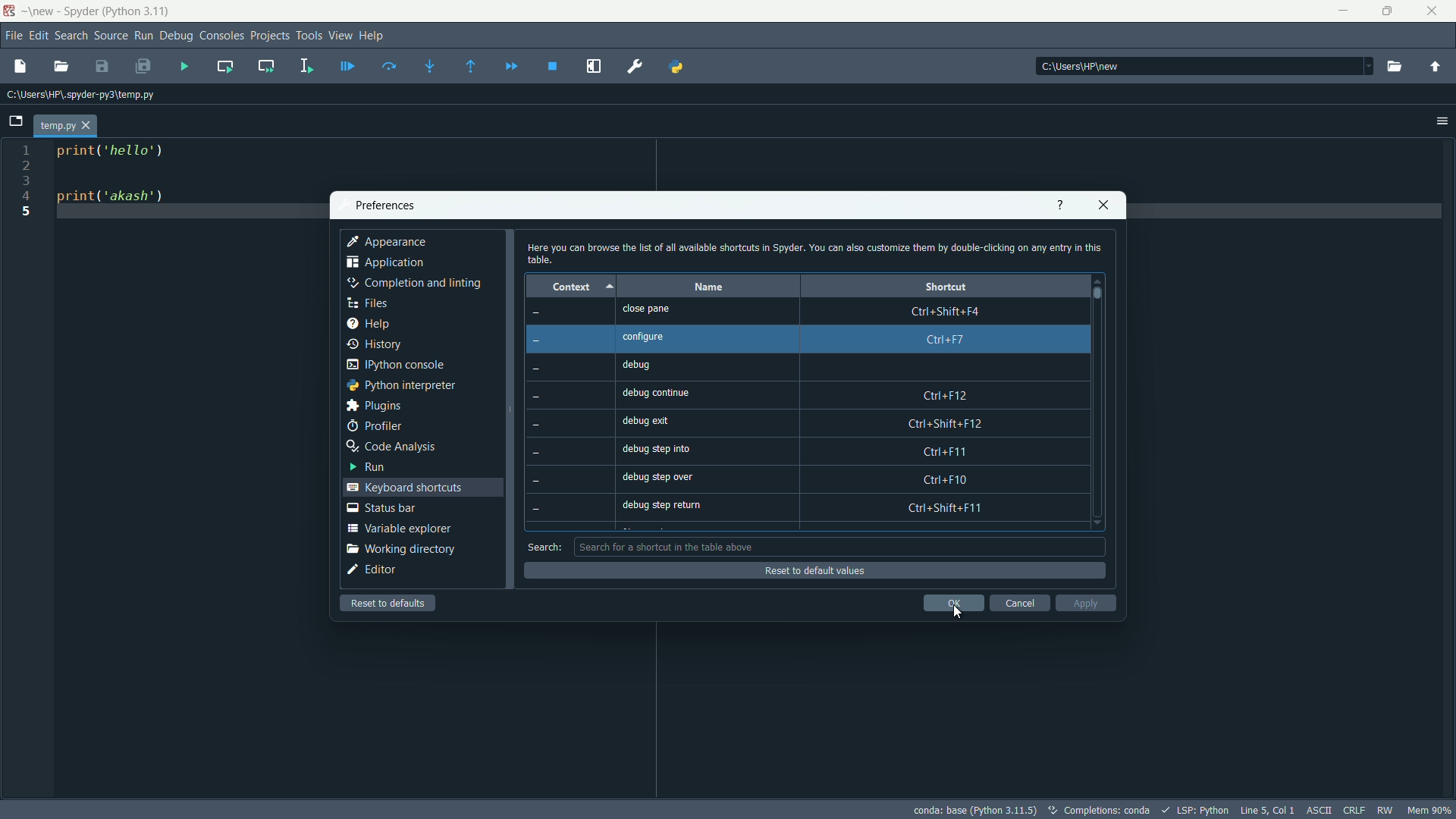 The height and width of the screenshot is (819, 1456). I want to click on continue execution until next breakpoint, so click(510, 67).